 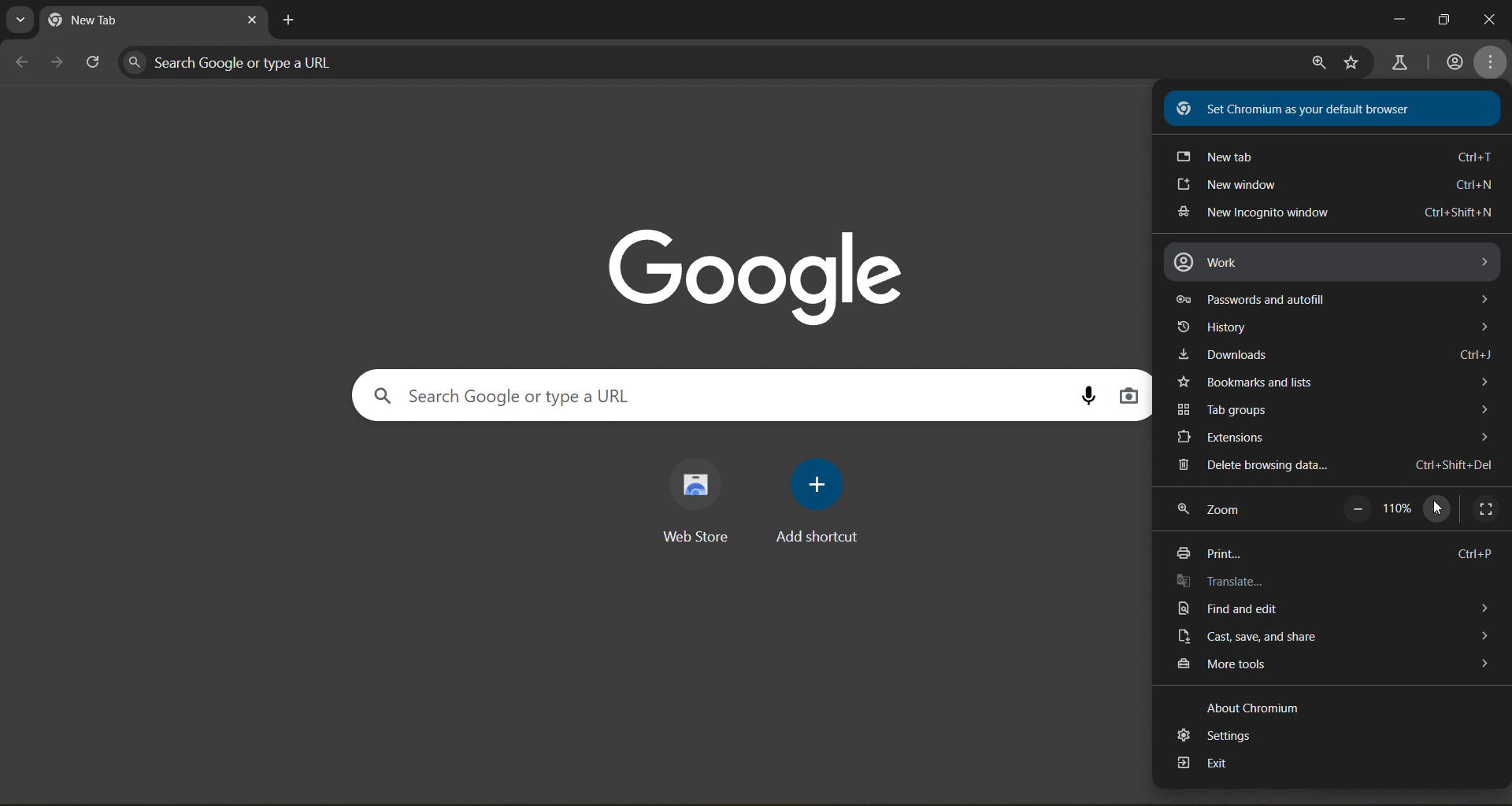 What do you see at coordinates (1400, 507) in the screenshot?
I see `110%` at bounding box center [1400, 507].